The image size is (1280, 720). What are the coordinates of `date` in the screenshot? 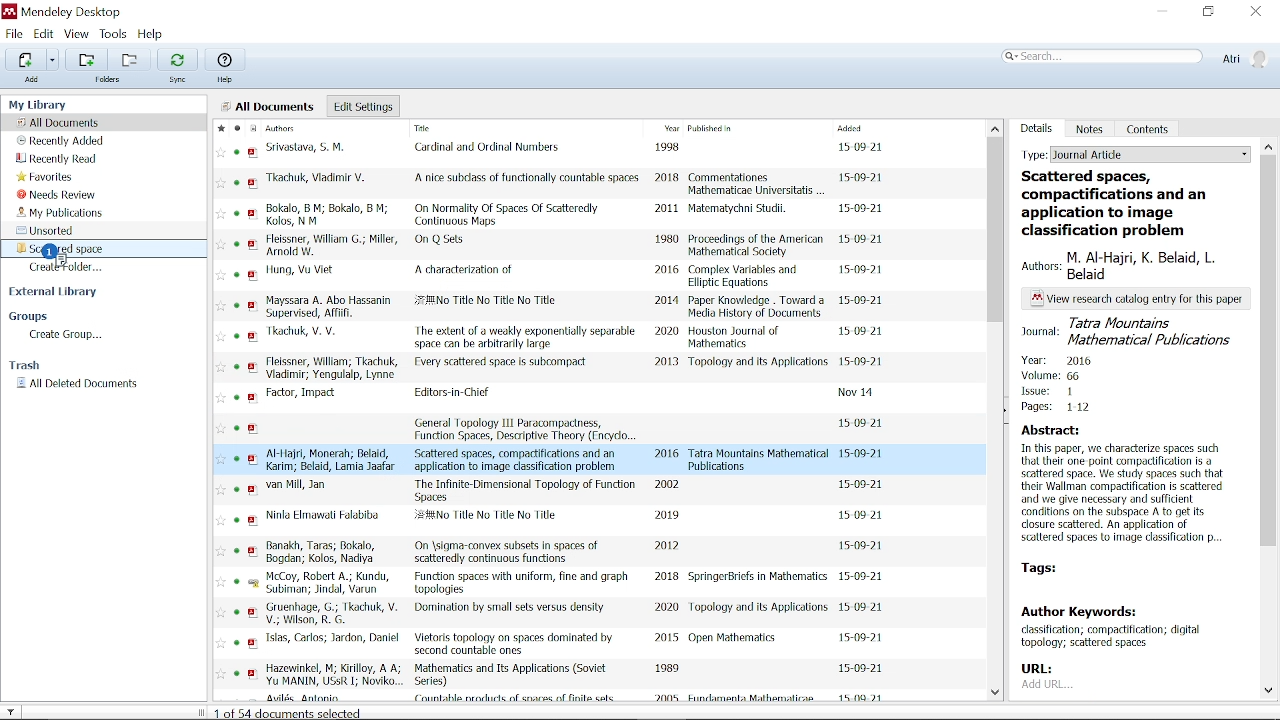 It's located at (862, 454).